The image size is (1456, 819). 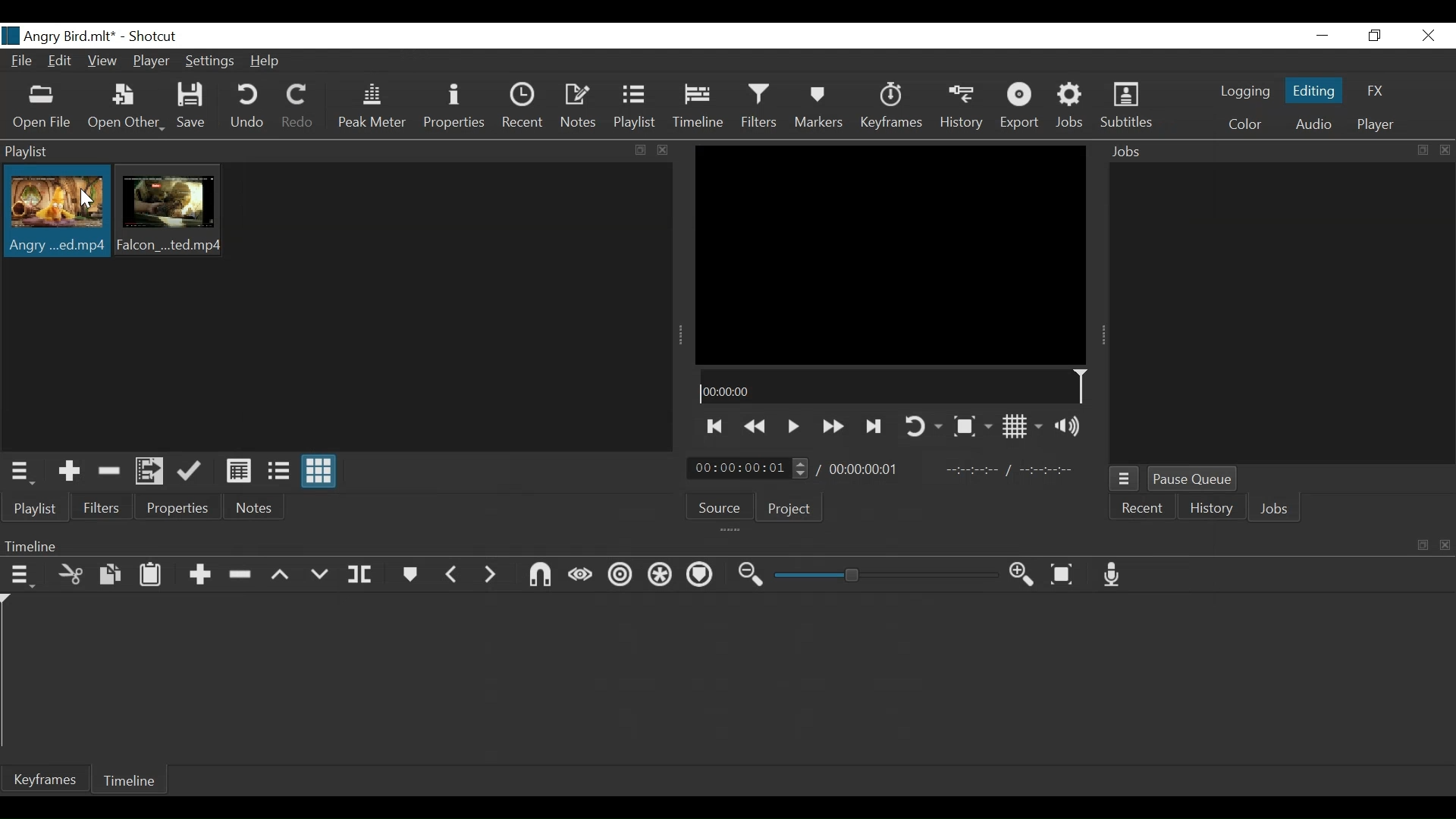 I want to click on Recent, so click(x=1141, y=510).